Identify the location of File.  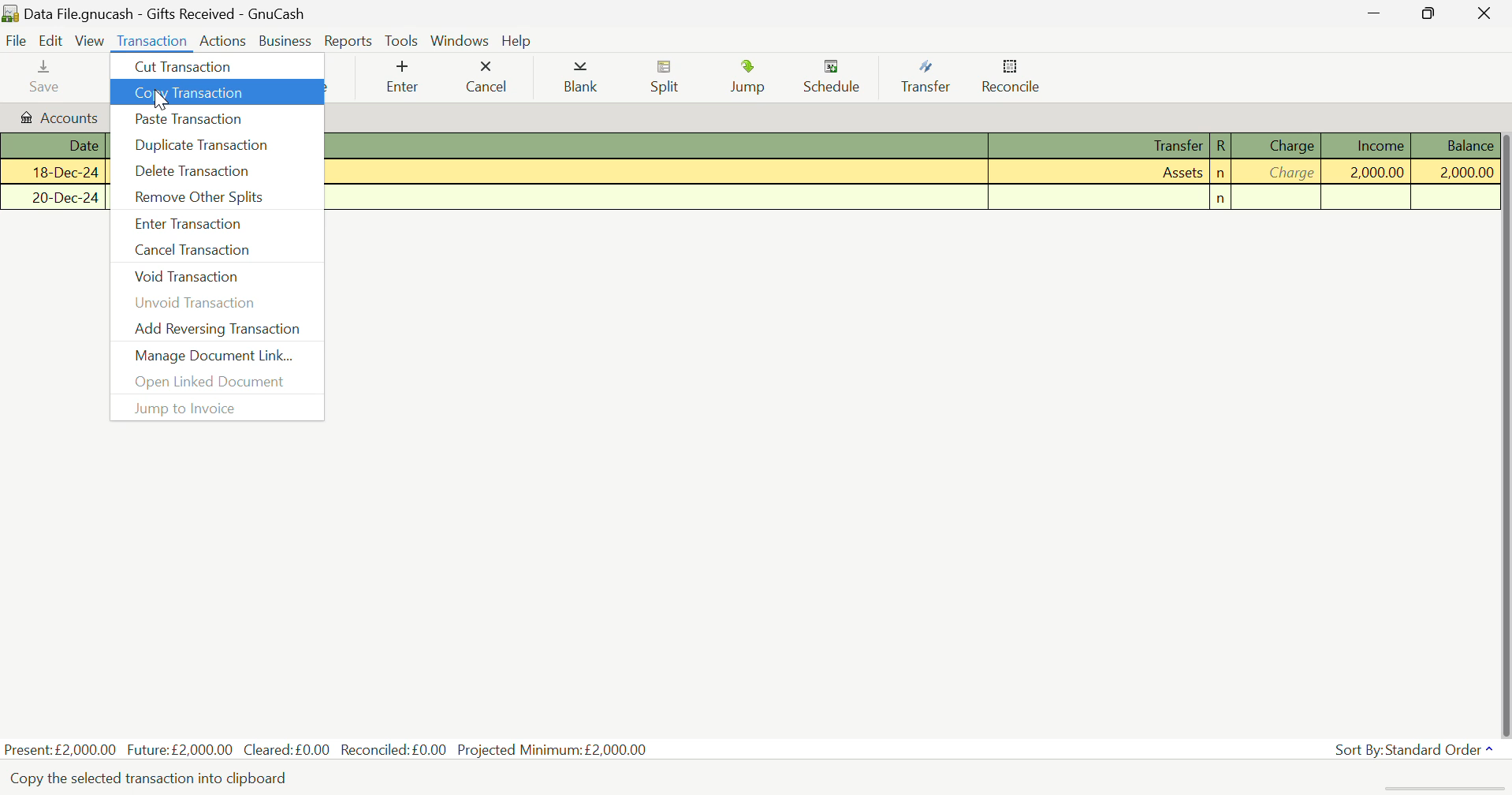
(15, 40).